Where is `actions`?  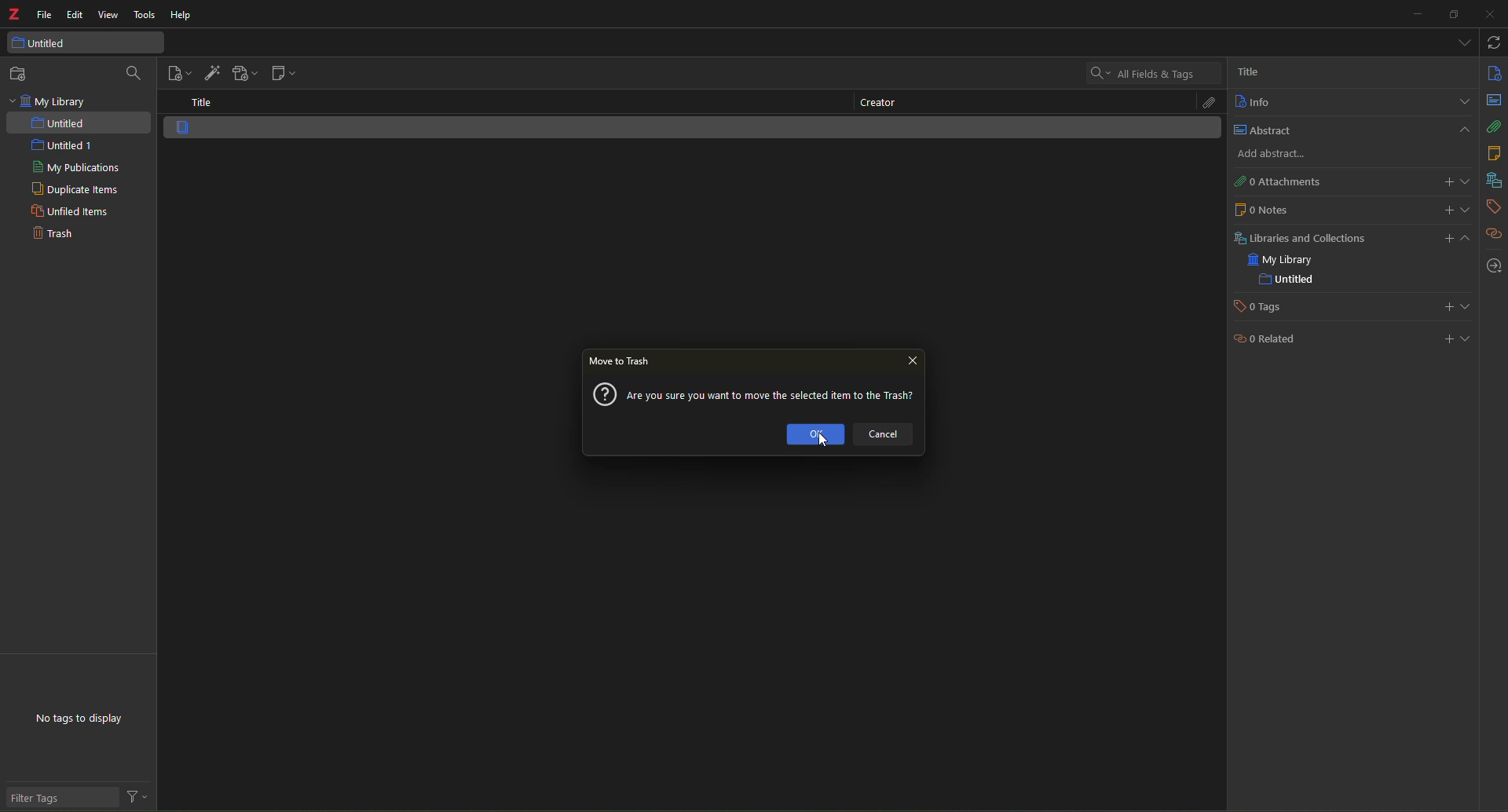 actions is located at coordinates (138, 798).